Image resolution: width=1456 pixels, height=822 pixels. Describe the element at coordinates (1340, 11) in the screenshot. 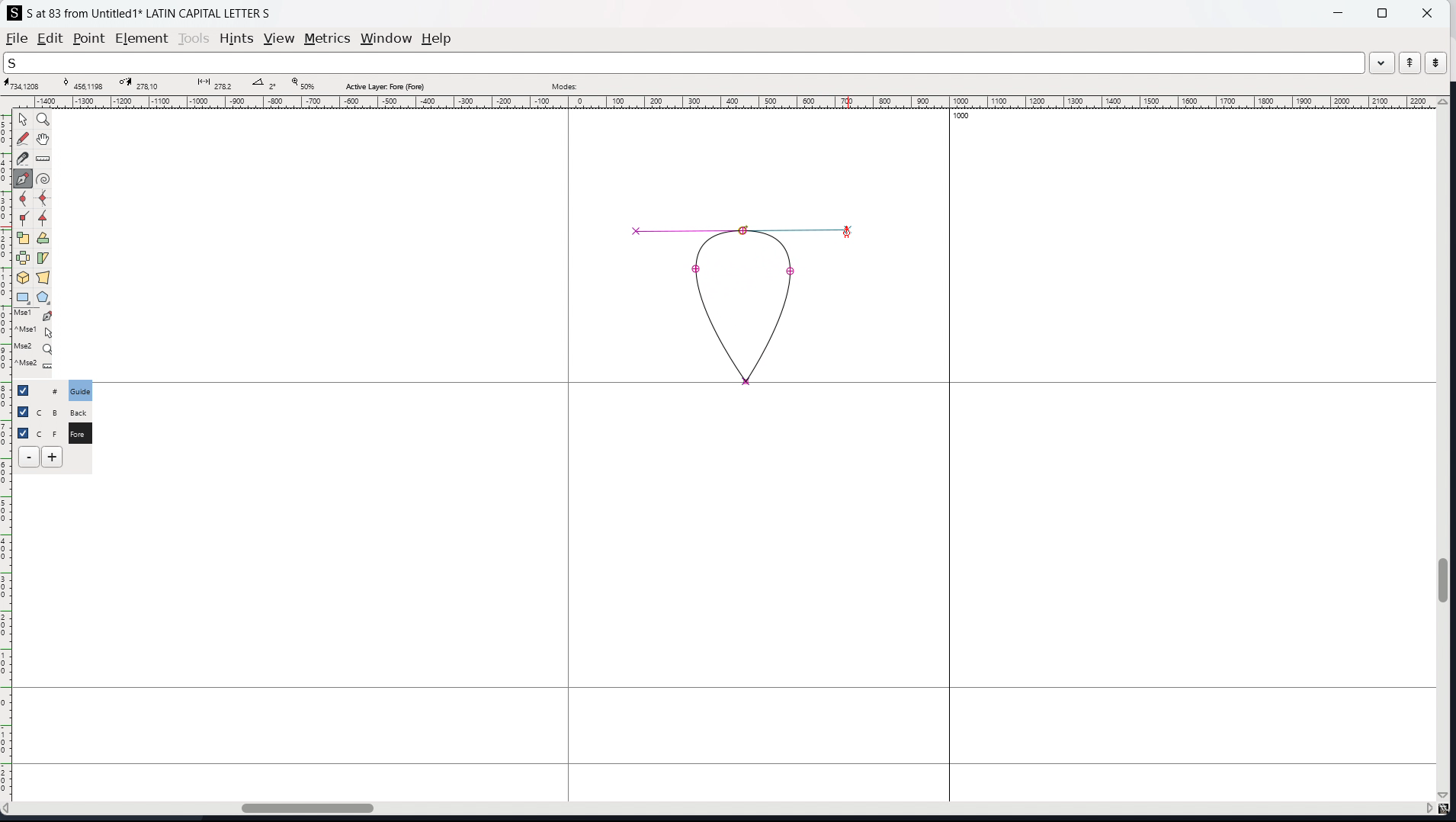

I see `minimize` at that location.